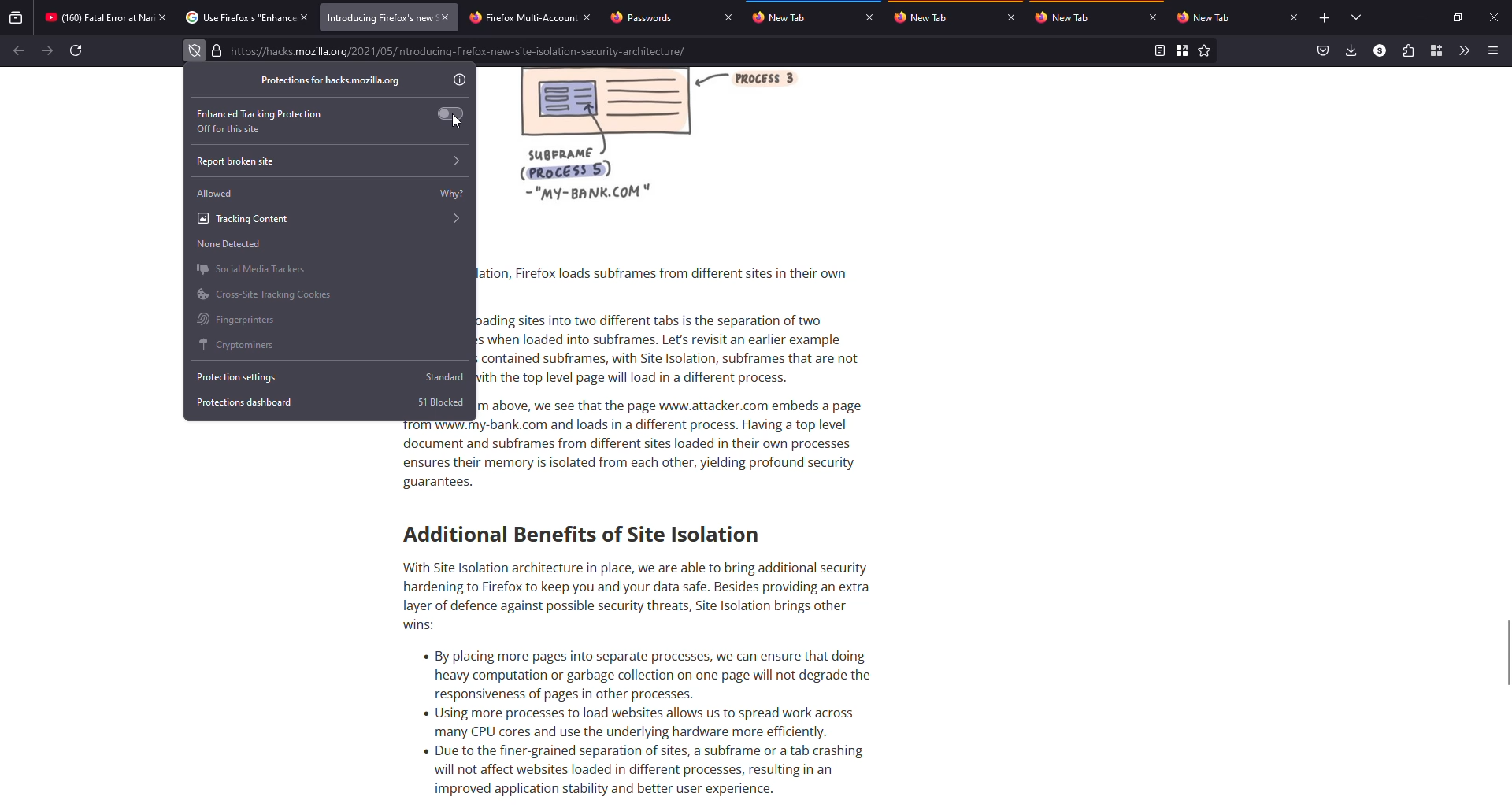 The width and height of the screenshot is (1512, 811). Describe the element at coordinates (1205, 51) in the screenshot. I see `favorites` at that location.